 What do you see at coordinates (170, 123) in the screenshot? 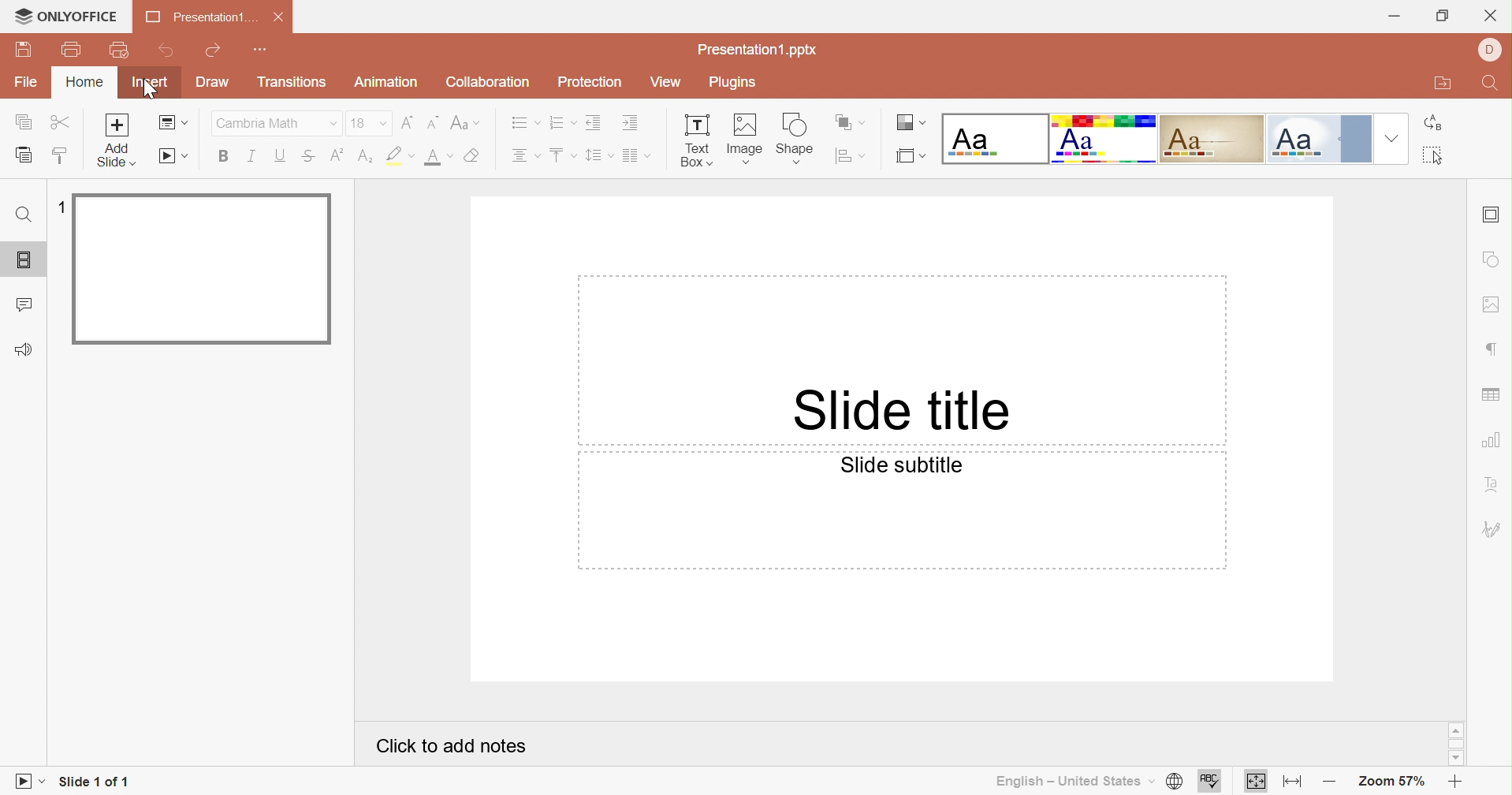
I see `Change slide layout` at bounding box center [170, 123].